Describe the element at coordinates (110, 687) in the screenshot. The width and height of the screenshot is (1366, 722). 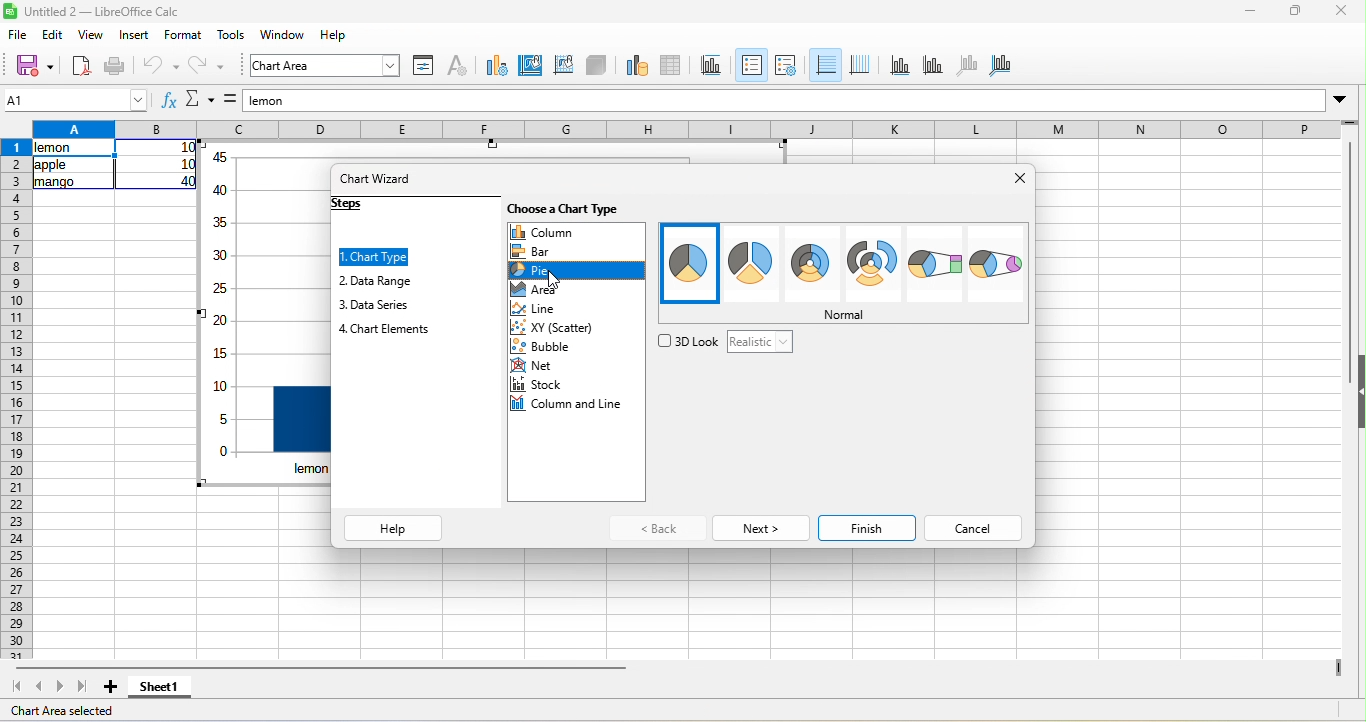
I see `add sheet` at that location.